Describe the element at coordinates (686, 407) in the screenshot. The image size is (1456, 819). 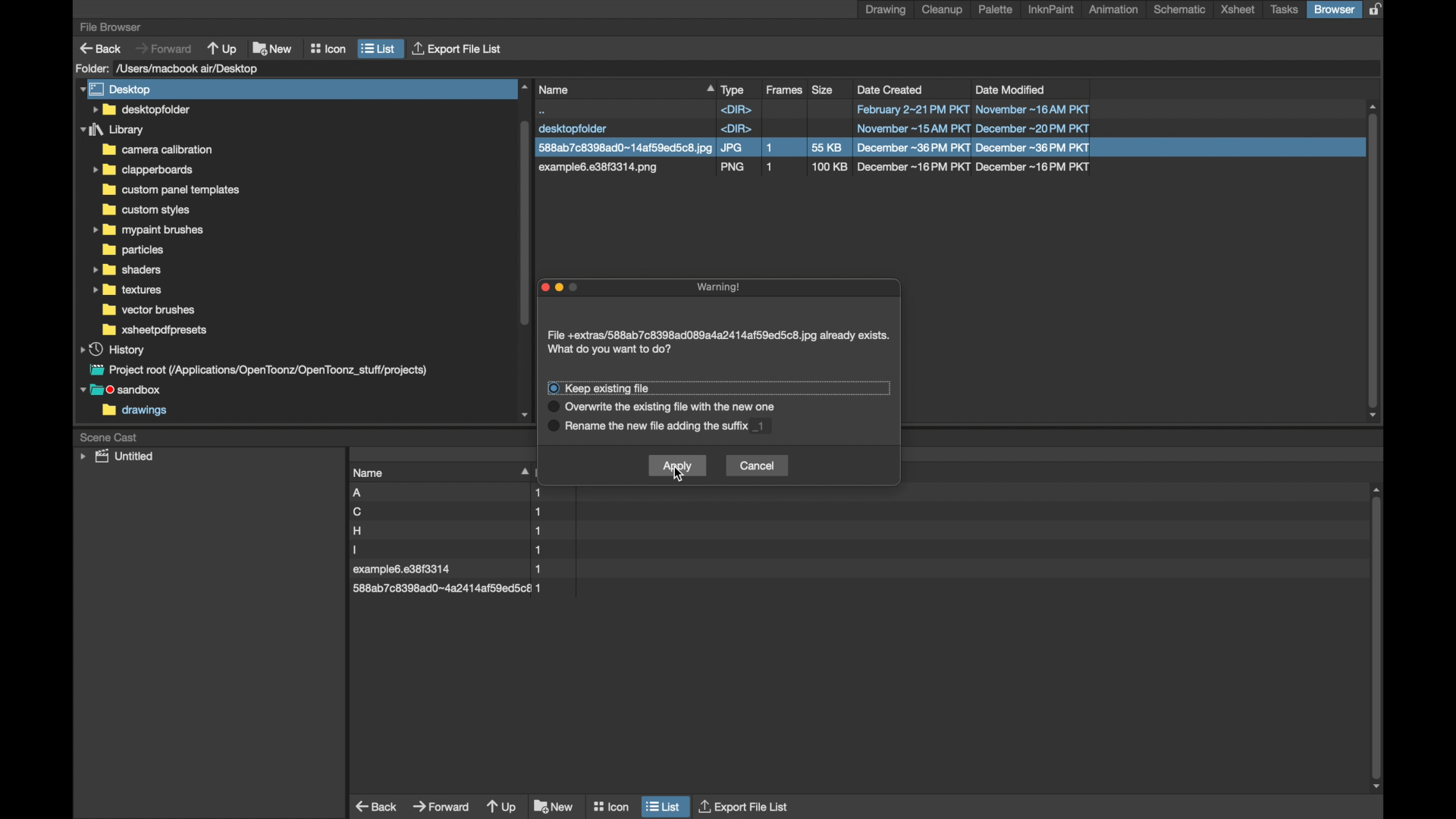
I see `description` at that location.